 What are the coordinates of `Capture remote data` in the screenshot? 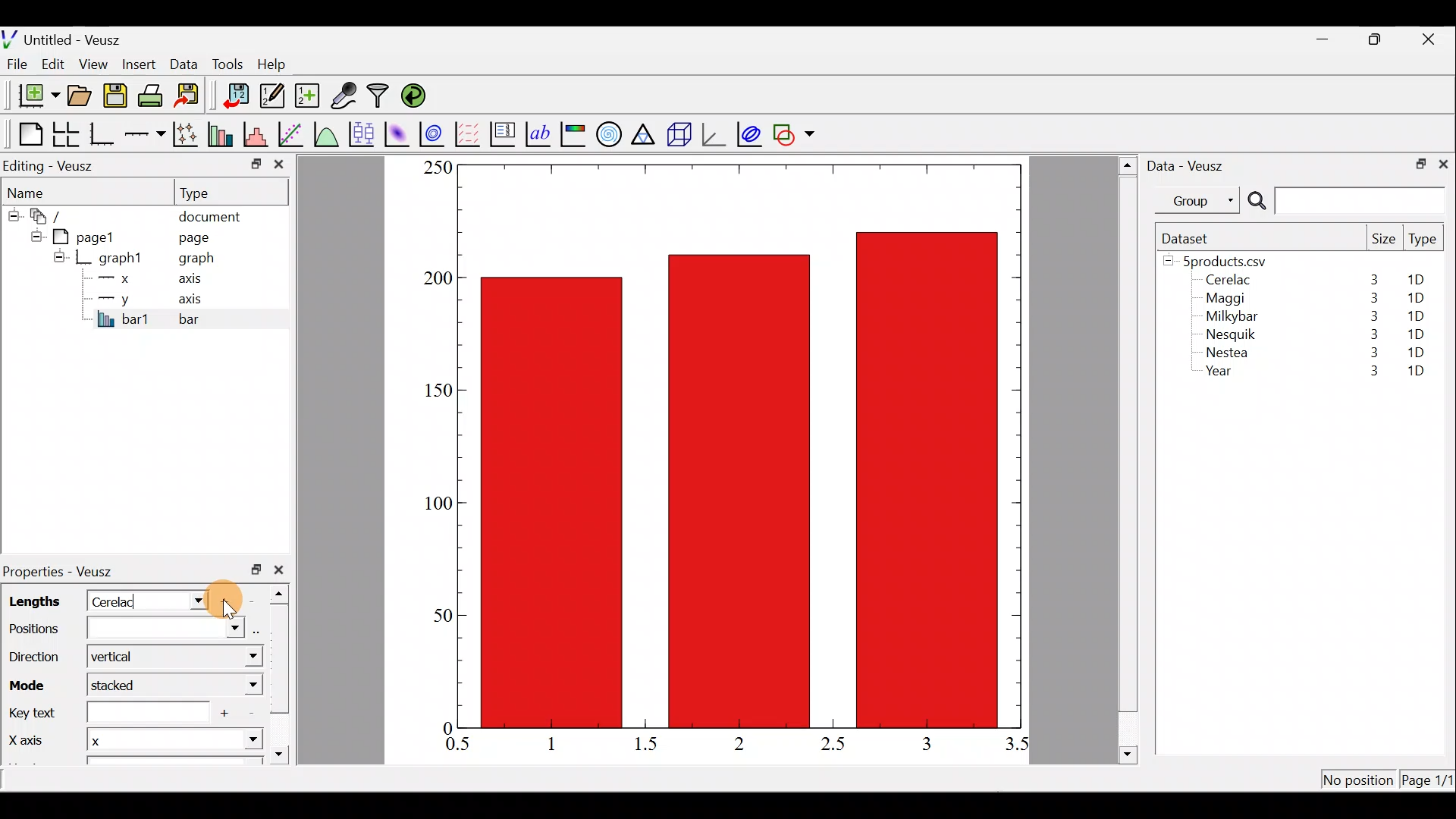 It's located at (345, 96).